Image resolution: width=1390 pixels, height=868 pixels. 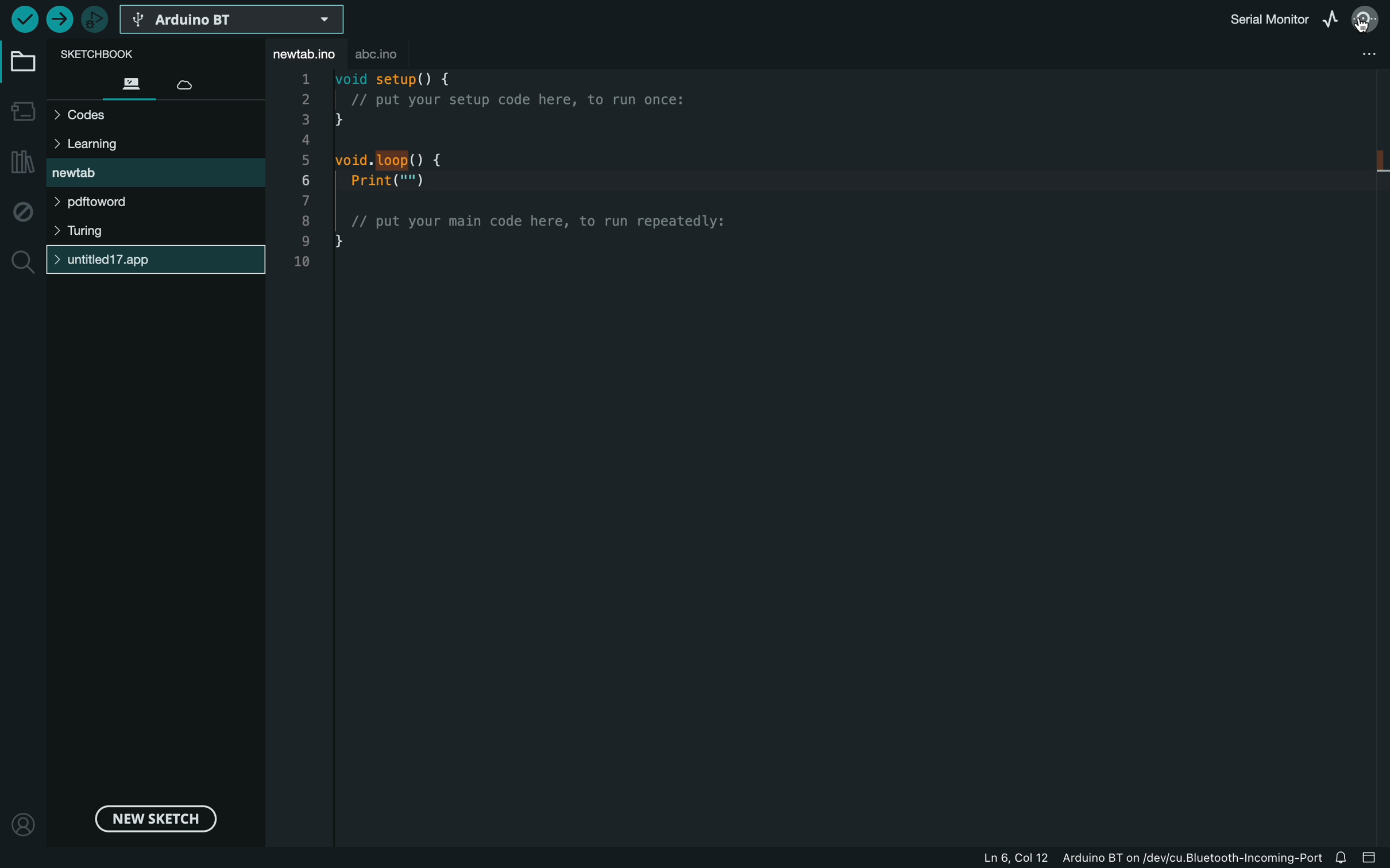 What do you see at coordinates (24, 210) in the screenshot?
I see `debug` at bounding box center [24, 210].